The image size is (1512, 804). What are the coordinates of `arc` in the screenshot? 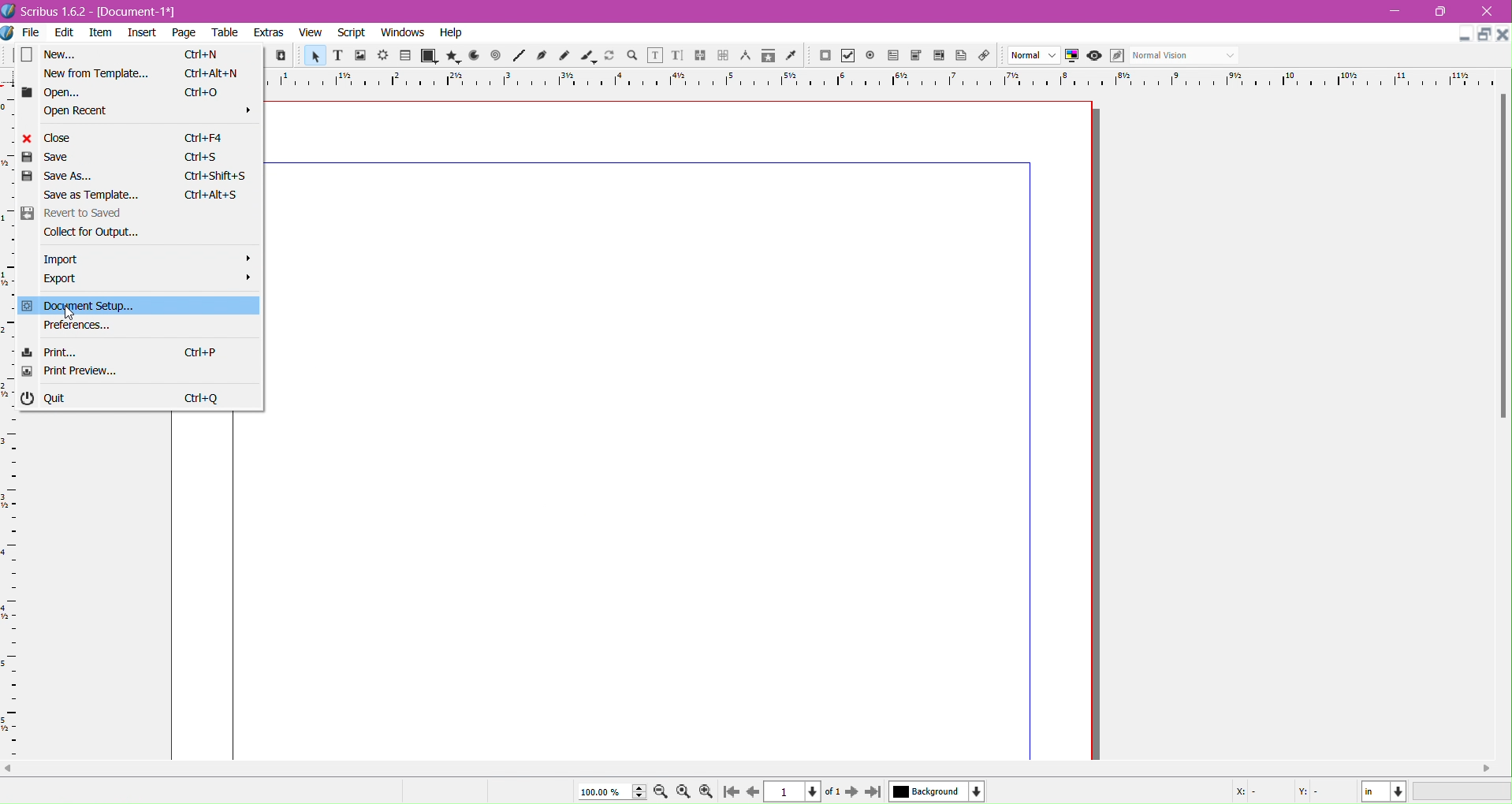 It's located at (471, 56).